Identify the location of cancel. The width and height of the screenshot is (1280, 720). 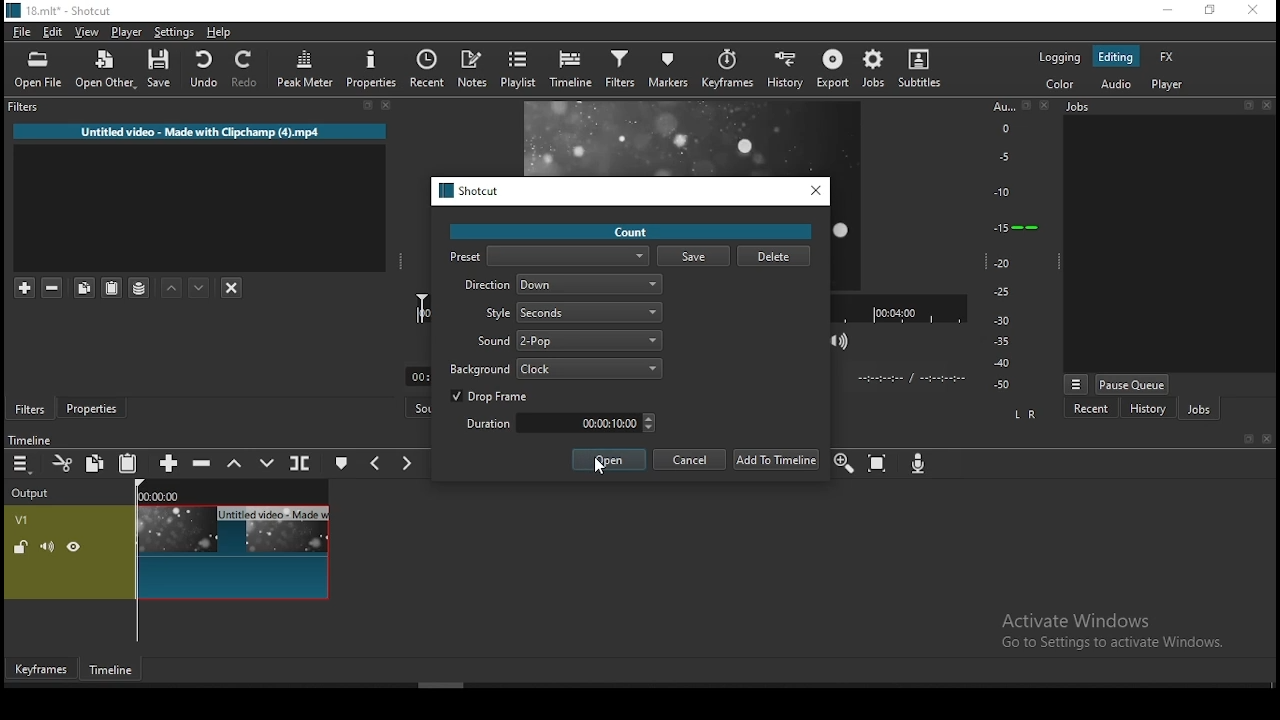
(690, 459).